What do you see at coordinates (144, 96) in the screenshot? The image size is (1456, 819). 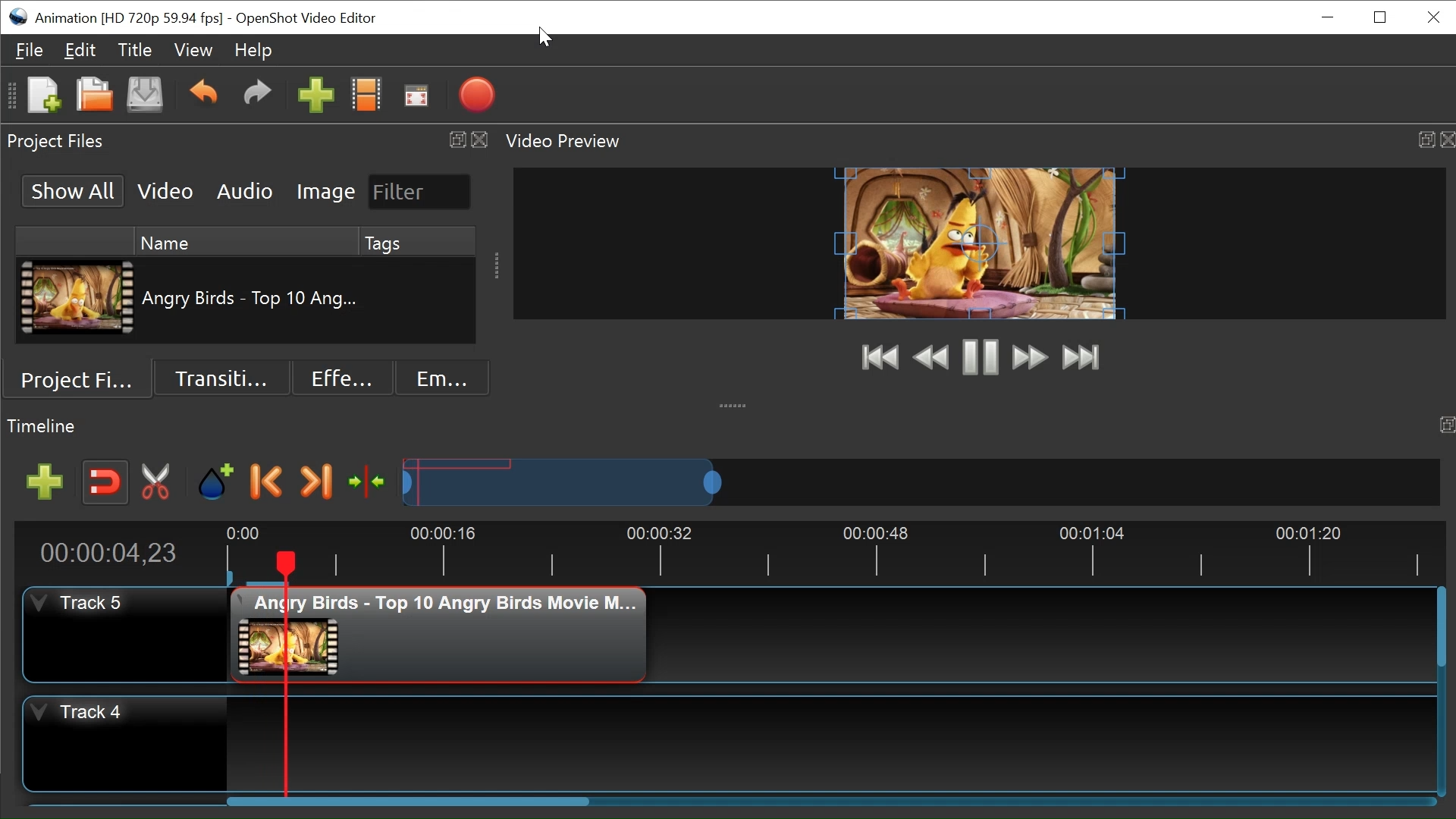 I see `Save Project` at bounding box center [144, 96].